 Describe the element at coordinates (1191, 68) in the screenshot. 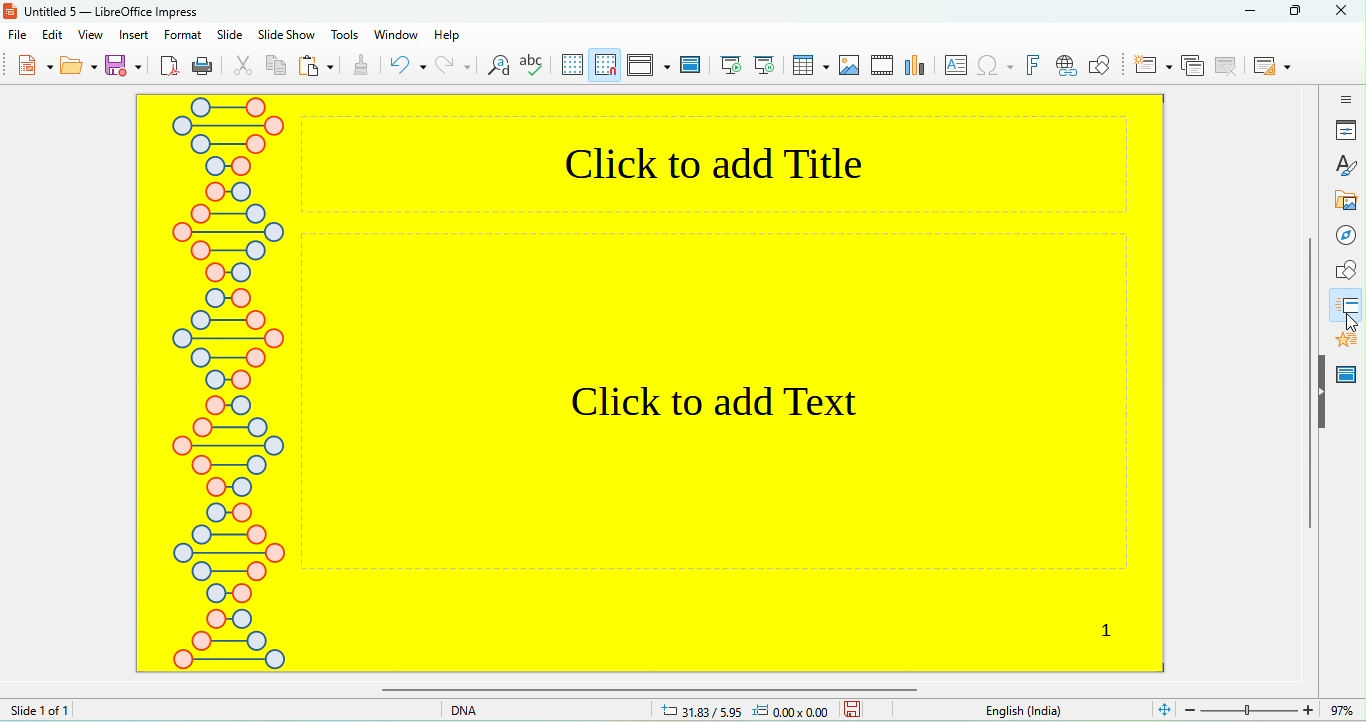

I see `duplicate slide ` at that location.